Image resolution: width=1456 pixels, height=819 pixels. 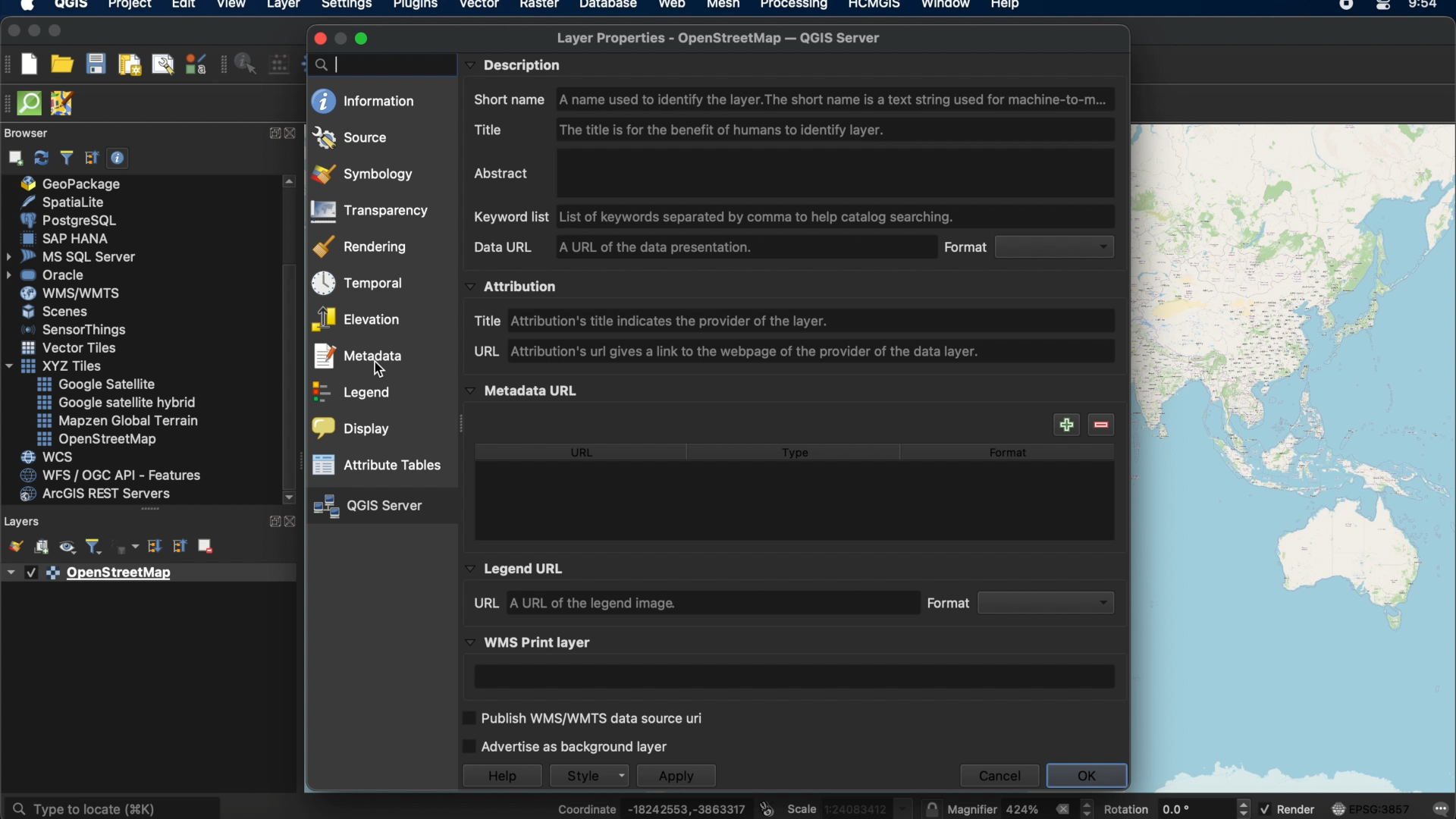 I want to click on source, so click(x=350, y=136).